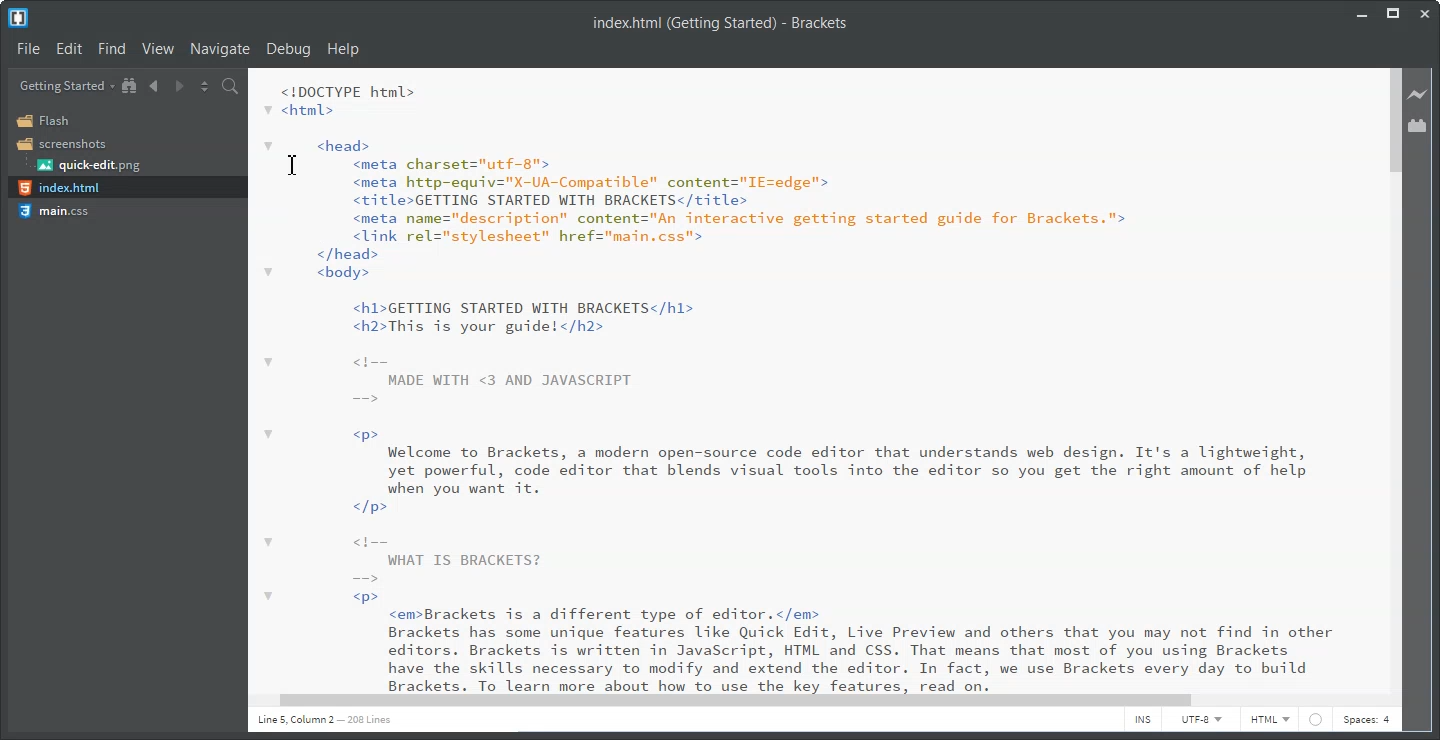  Describe the element at coordinates (343, 50) in the screenshot. I see `Help` at that location.